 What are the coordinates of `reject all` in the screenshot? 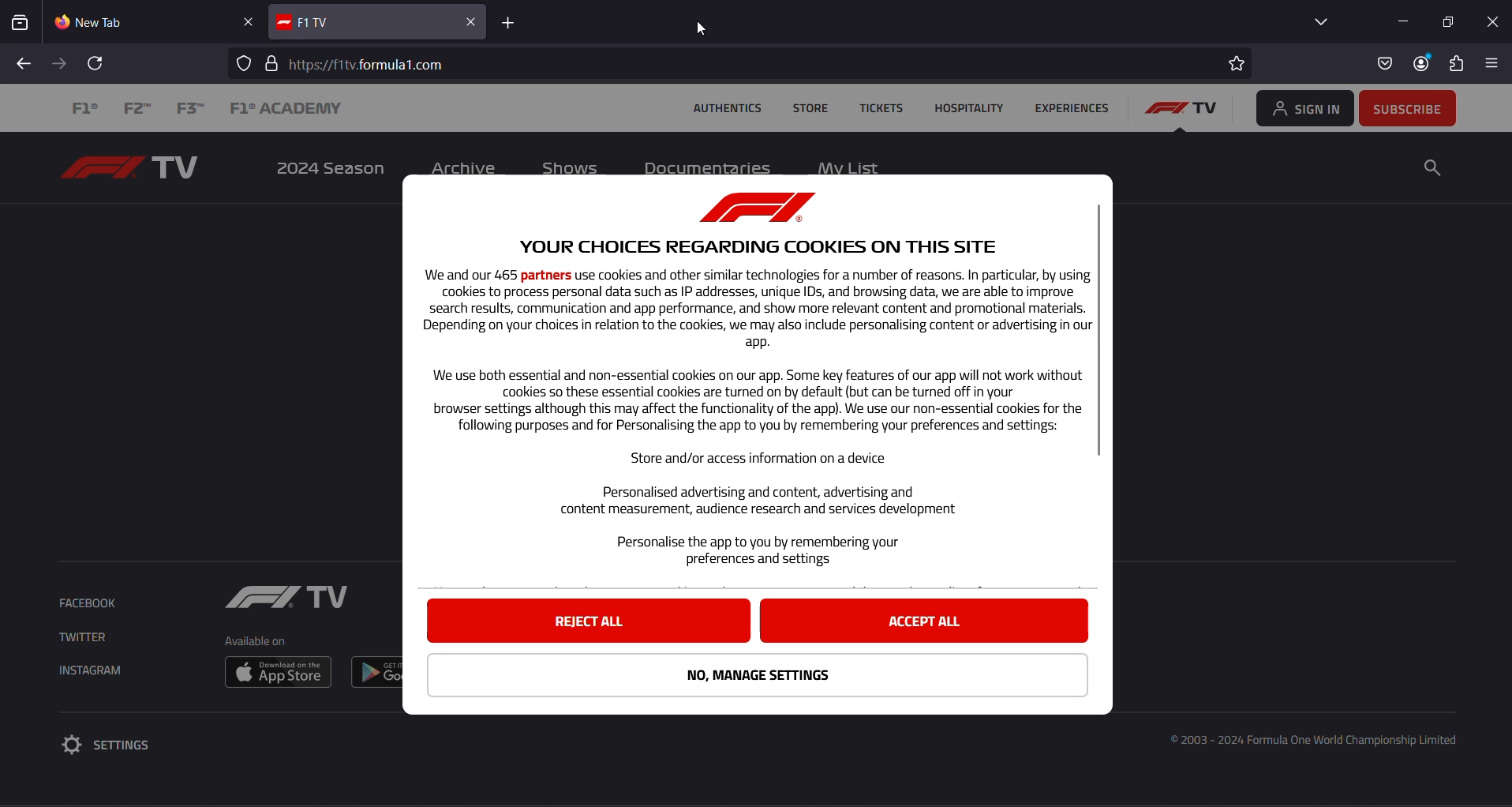 It's located at (589, 621).